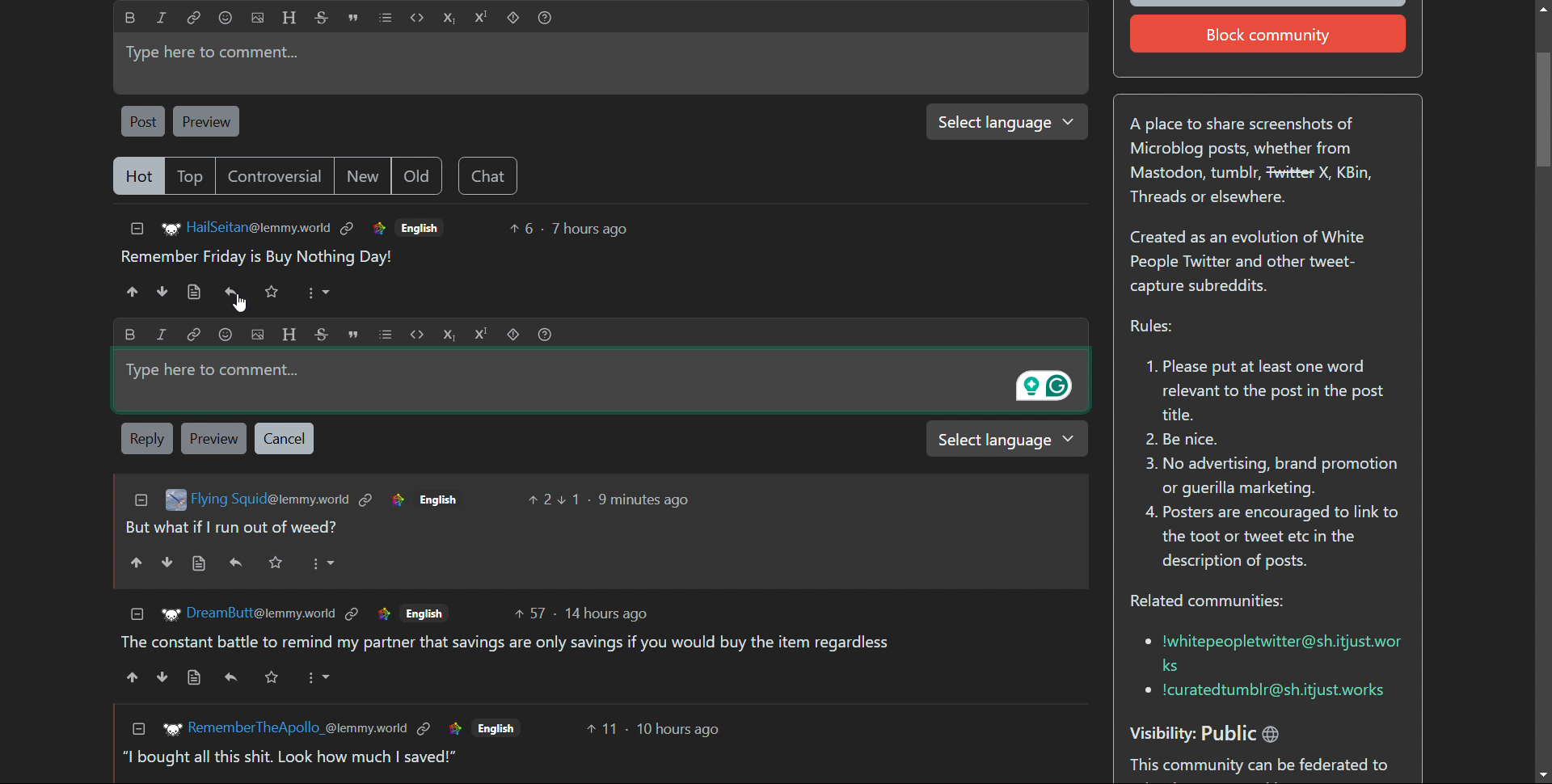  Describe the element at coordinates (688, 732) in the screenshot. I see `time of posting` at that location.